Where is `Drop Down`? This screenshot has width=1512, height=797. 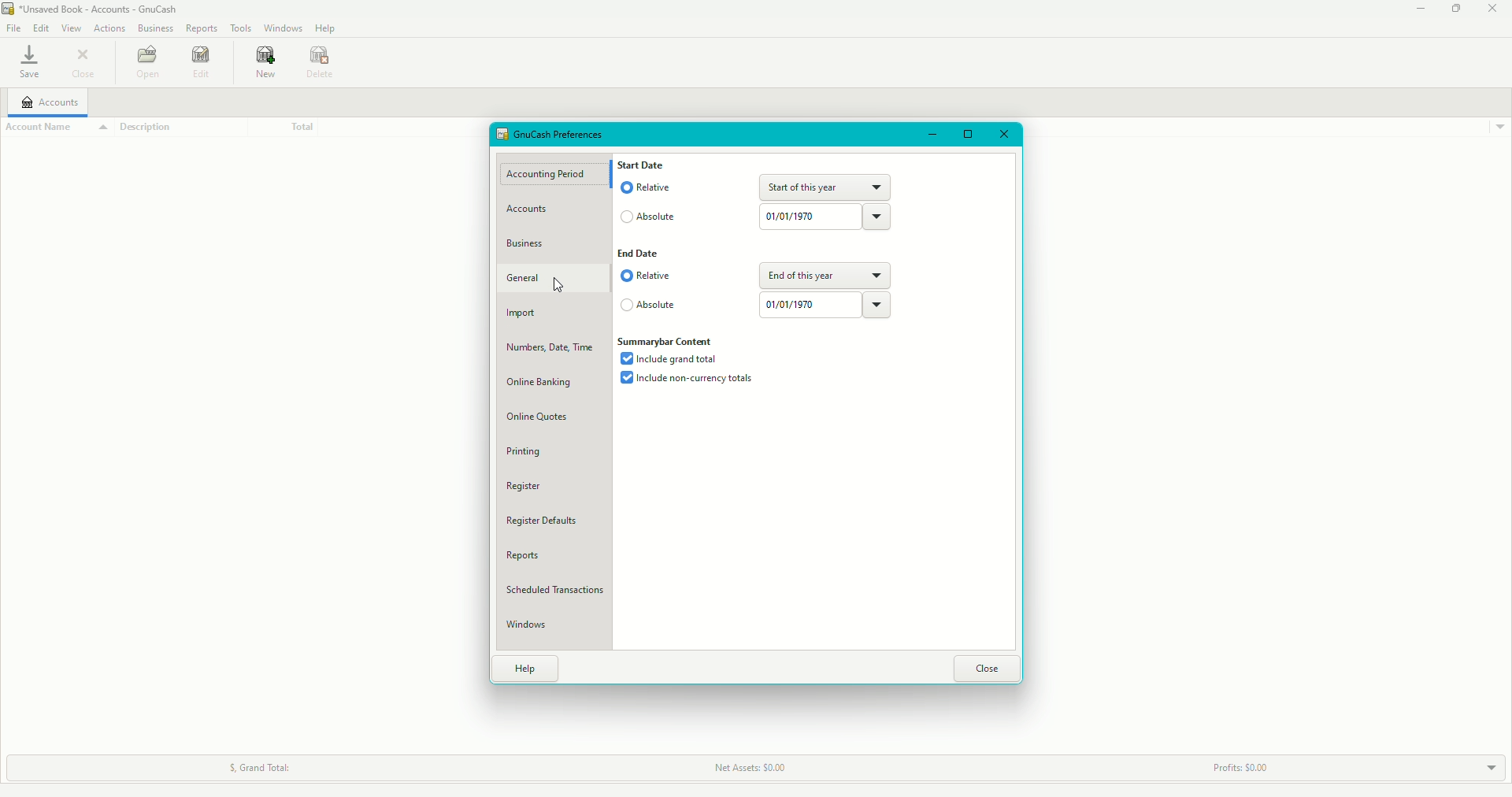
Drop Down is located at coordinates (1480, 766).